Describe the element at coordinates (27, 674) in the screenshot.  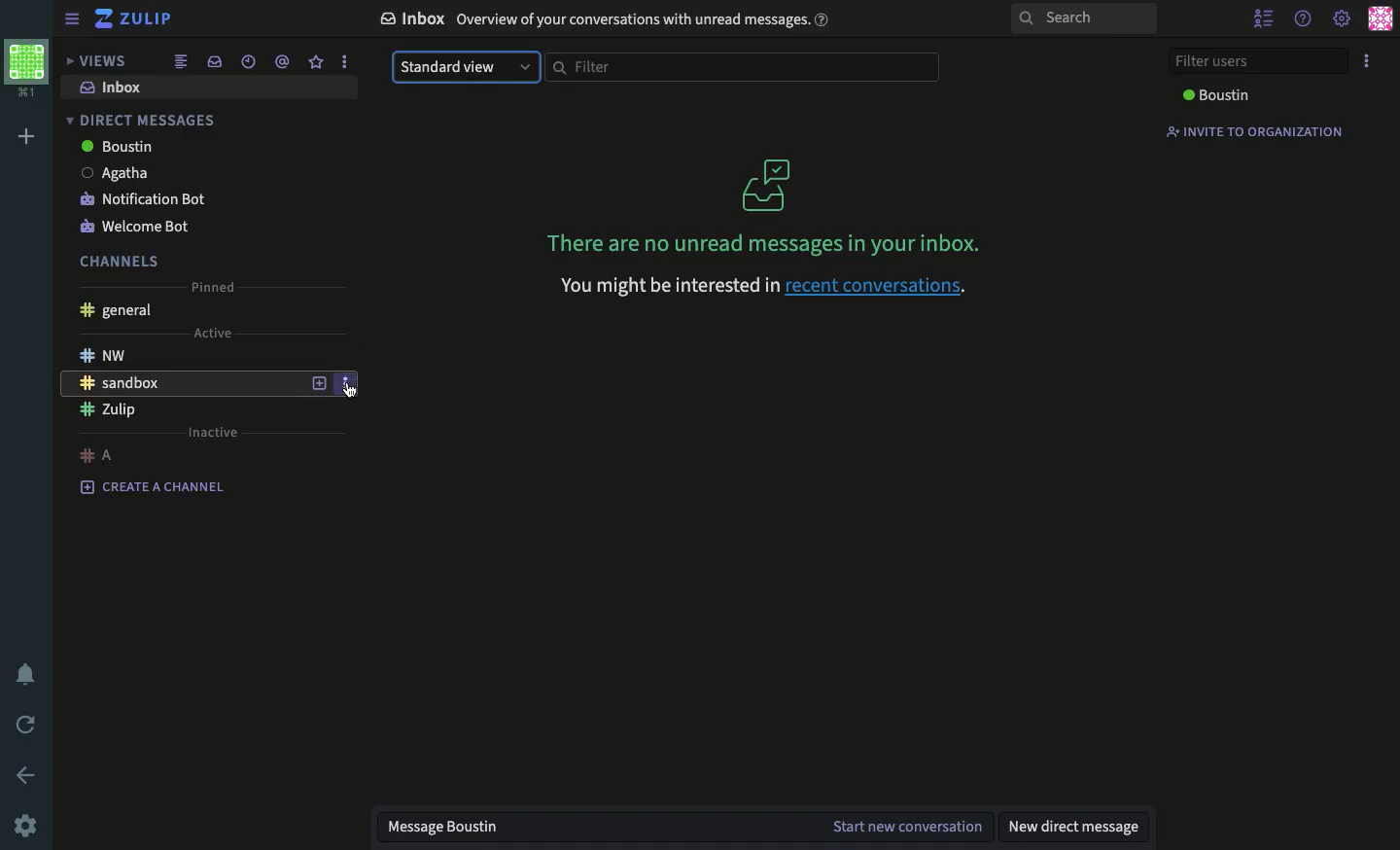
I see `notification` at that location.